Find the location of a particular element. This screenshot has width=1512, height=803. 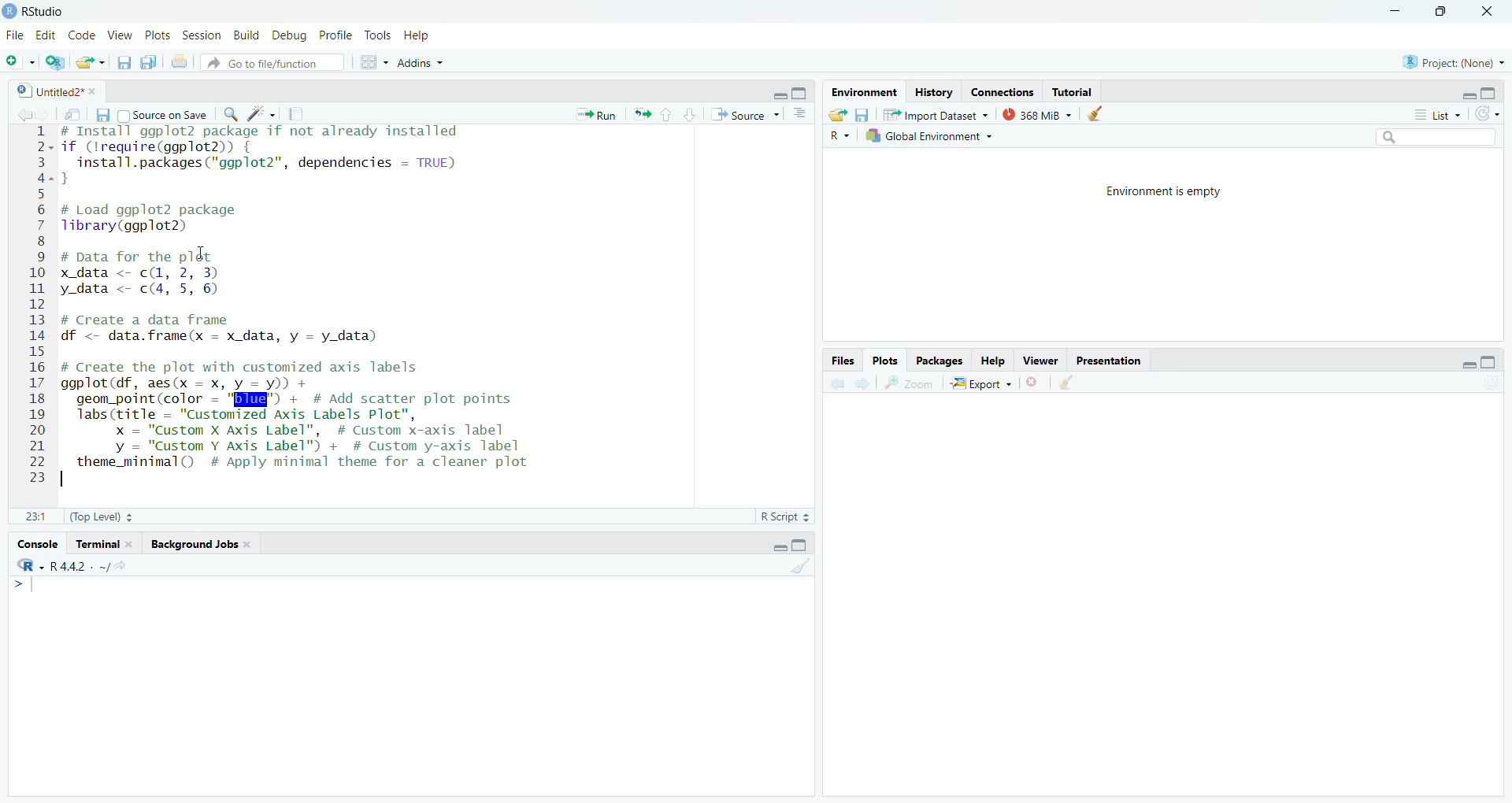

Help is located at coordinates (994, 361).